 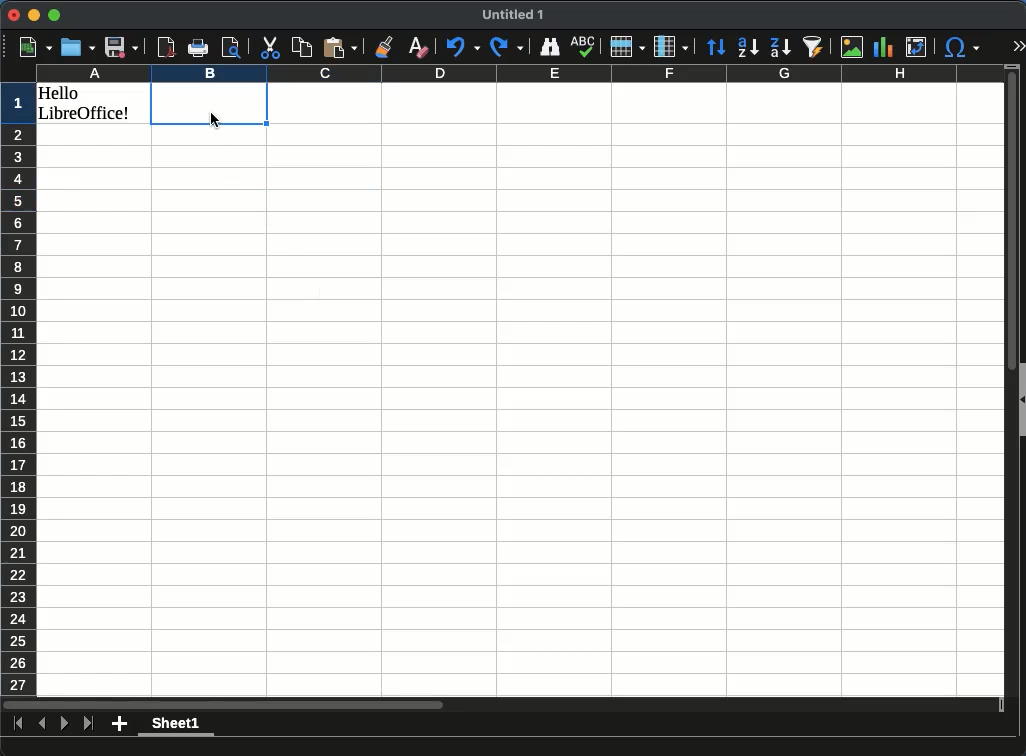 What do you see at coordinates (210, 104) in the screenshot?
I see `typing formula` at bounding box center [210, 104].